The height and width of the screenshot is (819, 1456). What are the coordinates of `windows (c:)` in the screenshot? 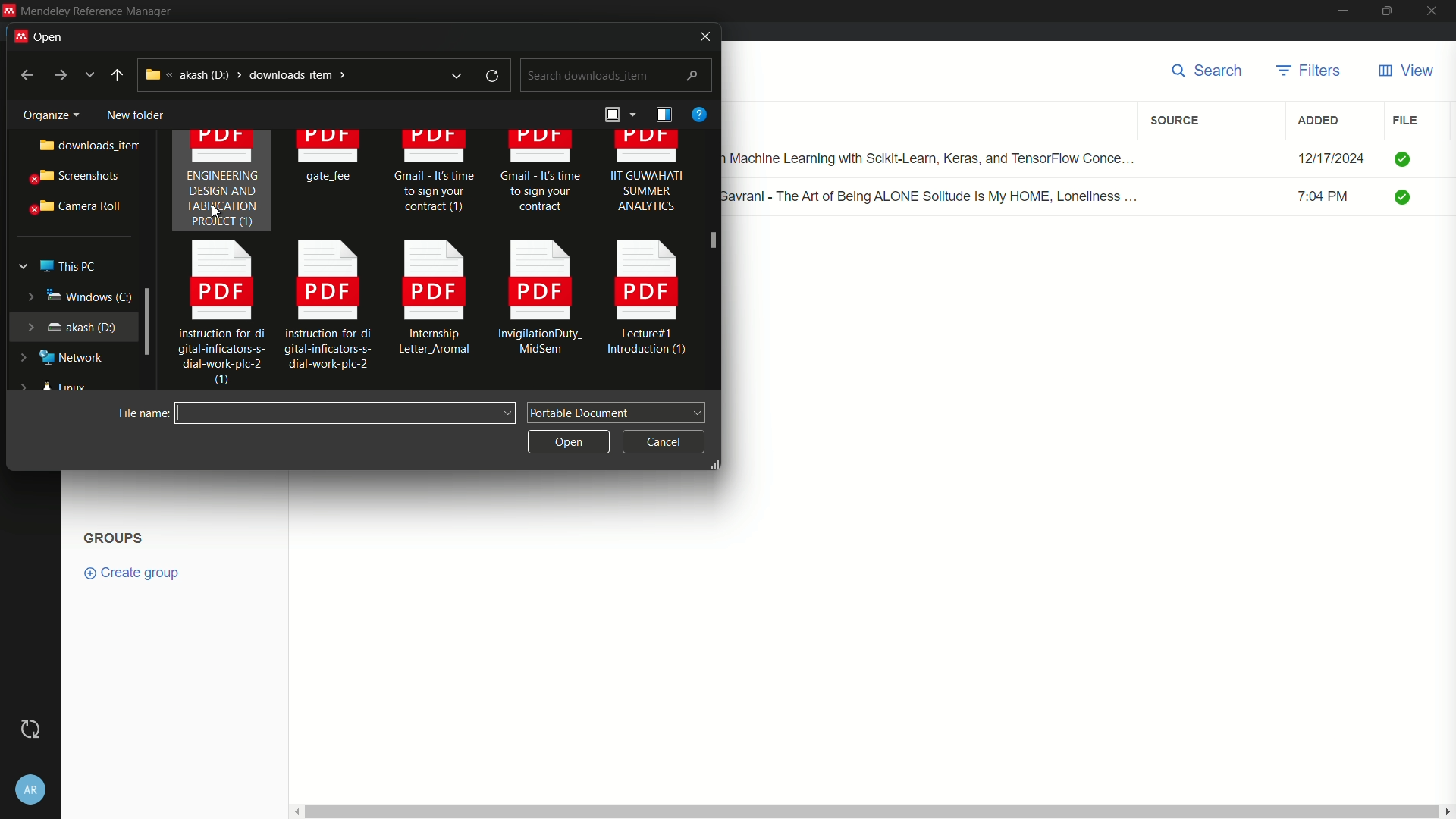 It's located at (68, 296).